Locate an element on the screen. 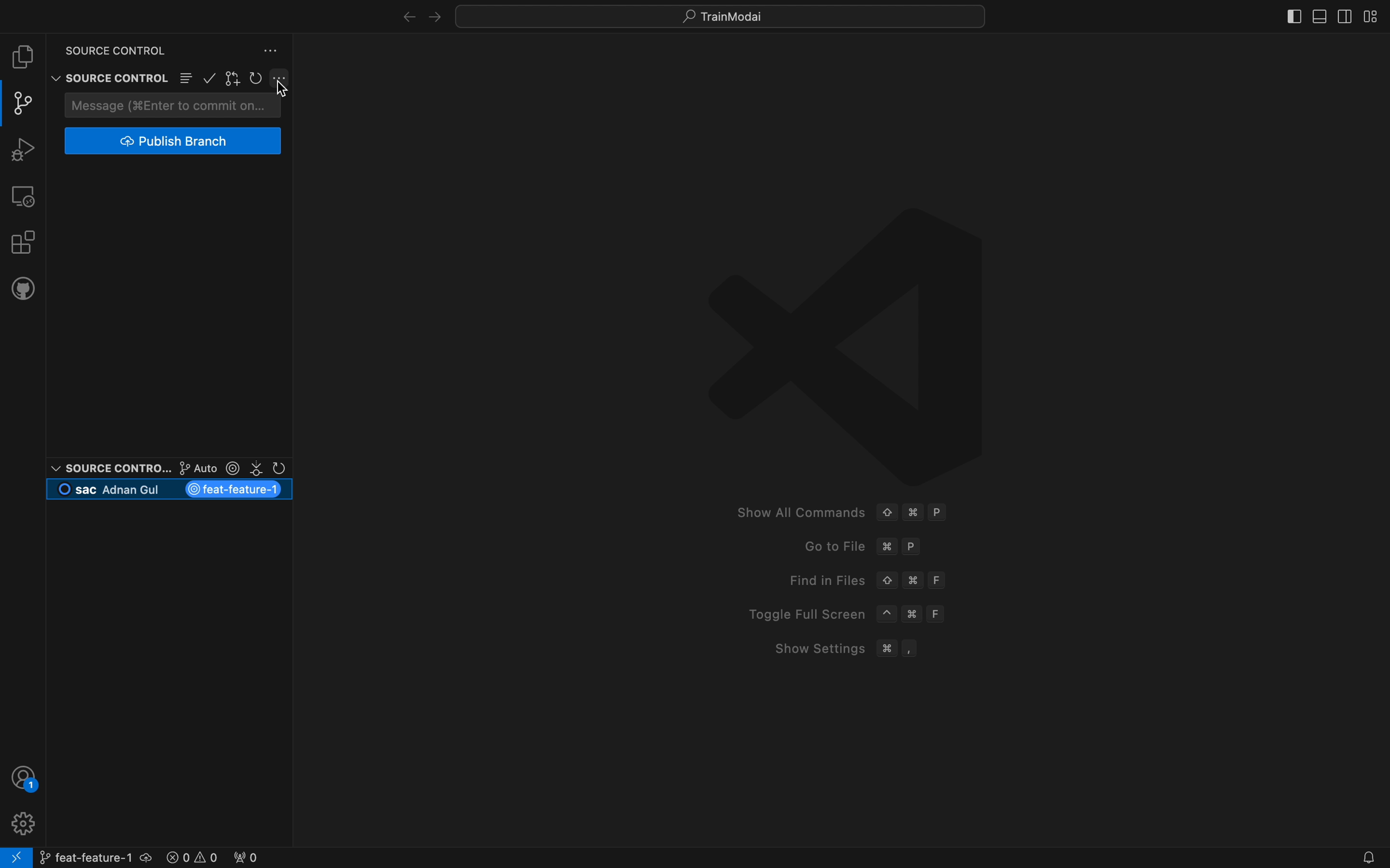 Image resolution: width=1390 pixels, height=868 pixels. git is located at coordinates (25, 103).